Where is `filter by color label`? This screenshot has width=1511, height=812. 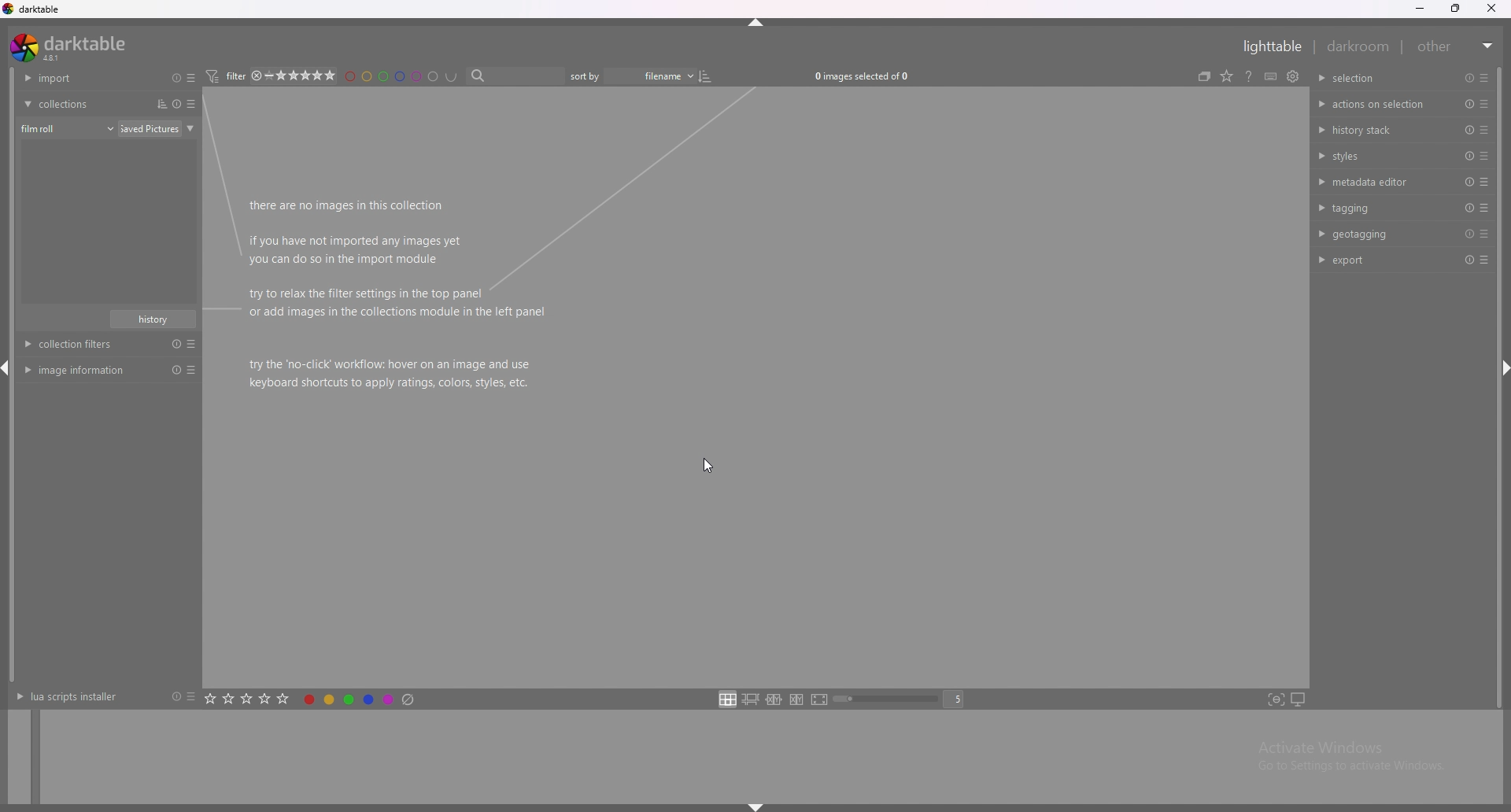 filter by color label is located at coordinates (406, 76).